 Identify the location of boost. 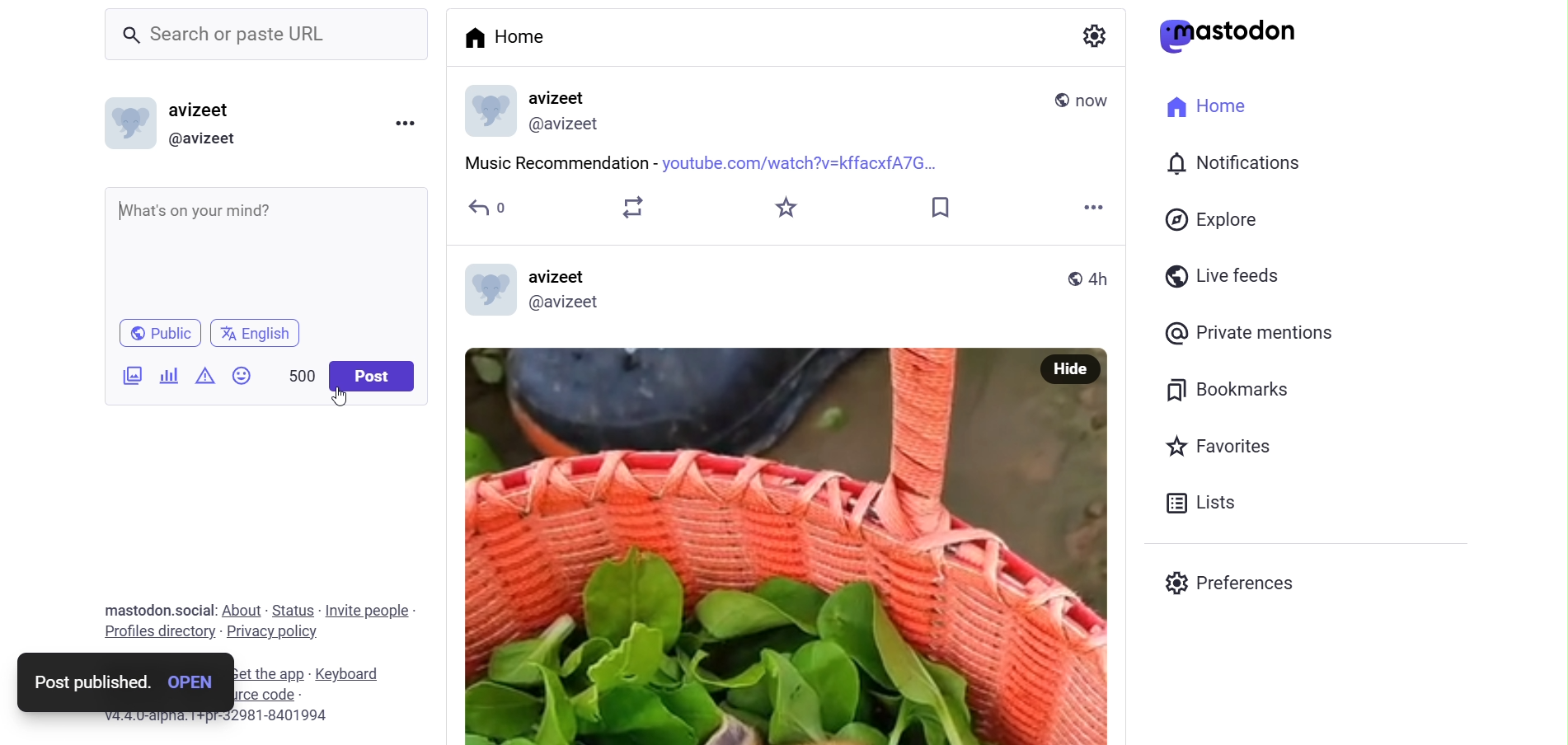
(633, 213).